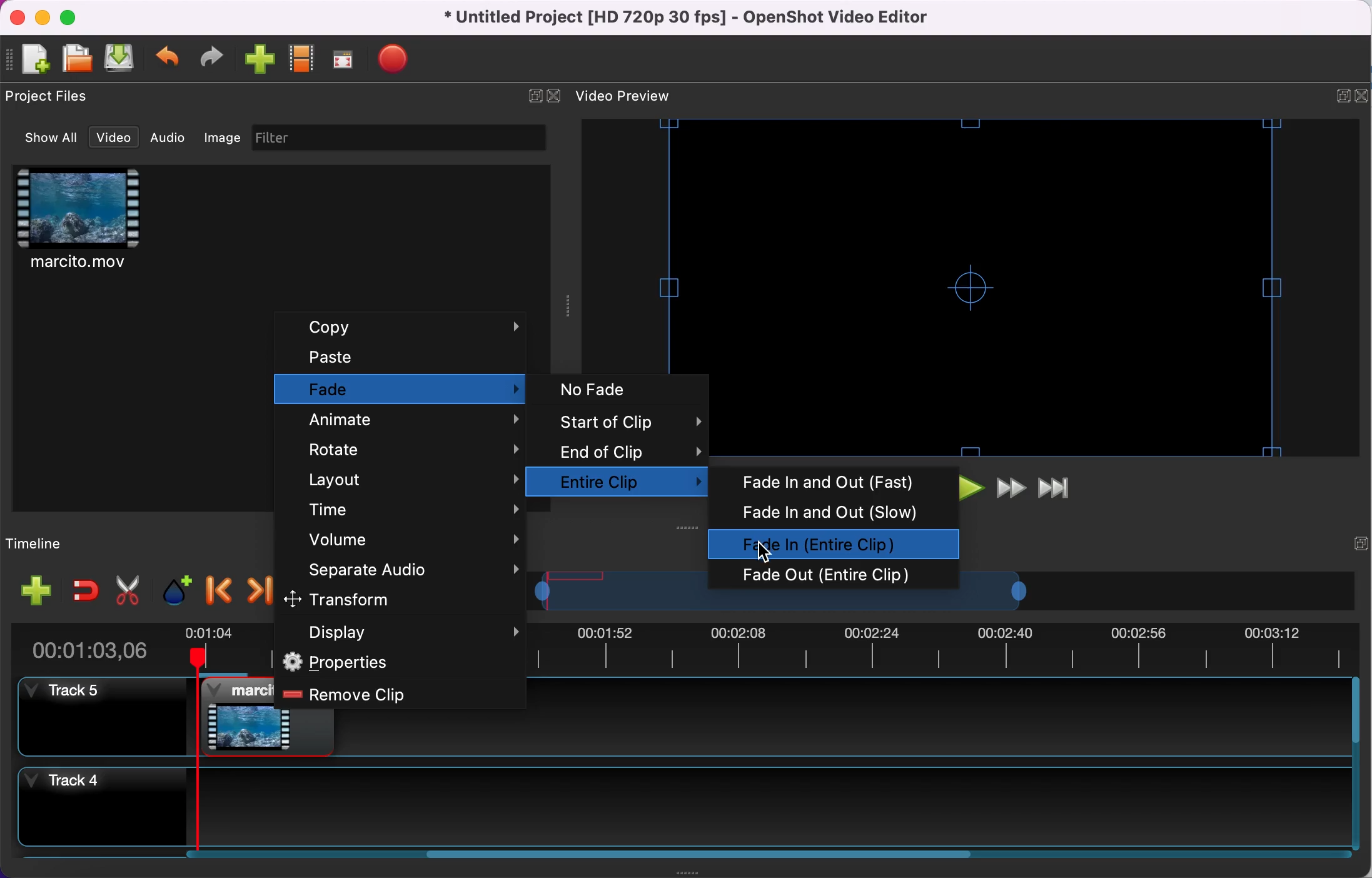 This screenshot has width=1372, height=878. I want to click on image, so click(218, 136).